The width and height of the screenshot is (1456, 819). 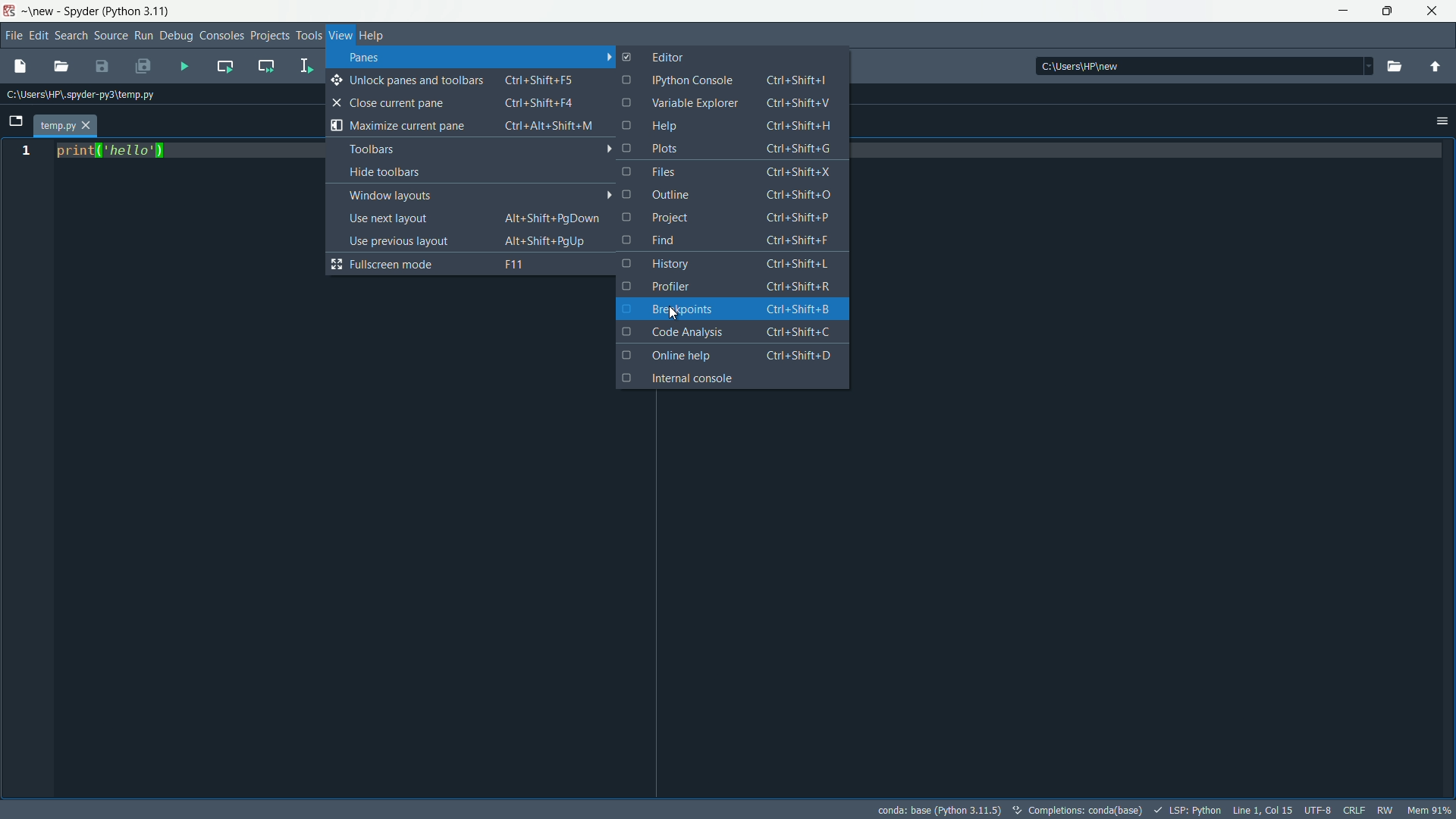 What do you see at coordinates (20, 67) in the screenshot?
I see `new file` at bounding box center [20, 67].